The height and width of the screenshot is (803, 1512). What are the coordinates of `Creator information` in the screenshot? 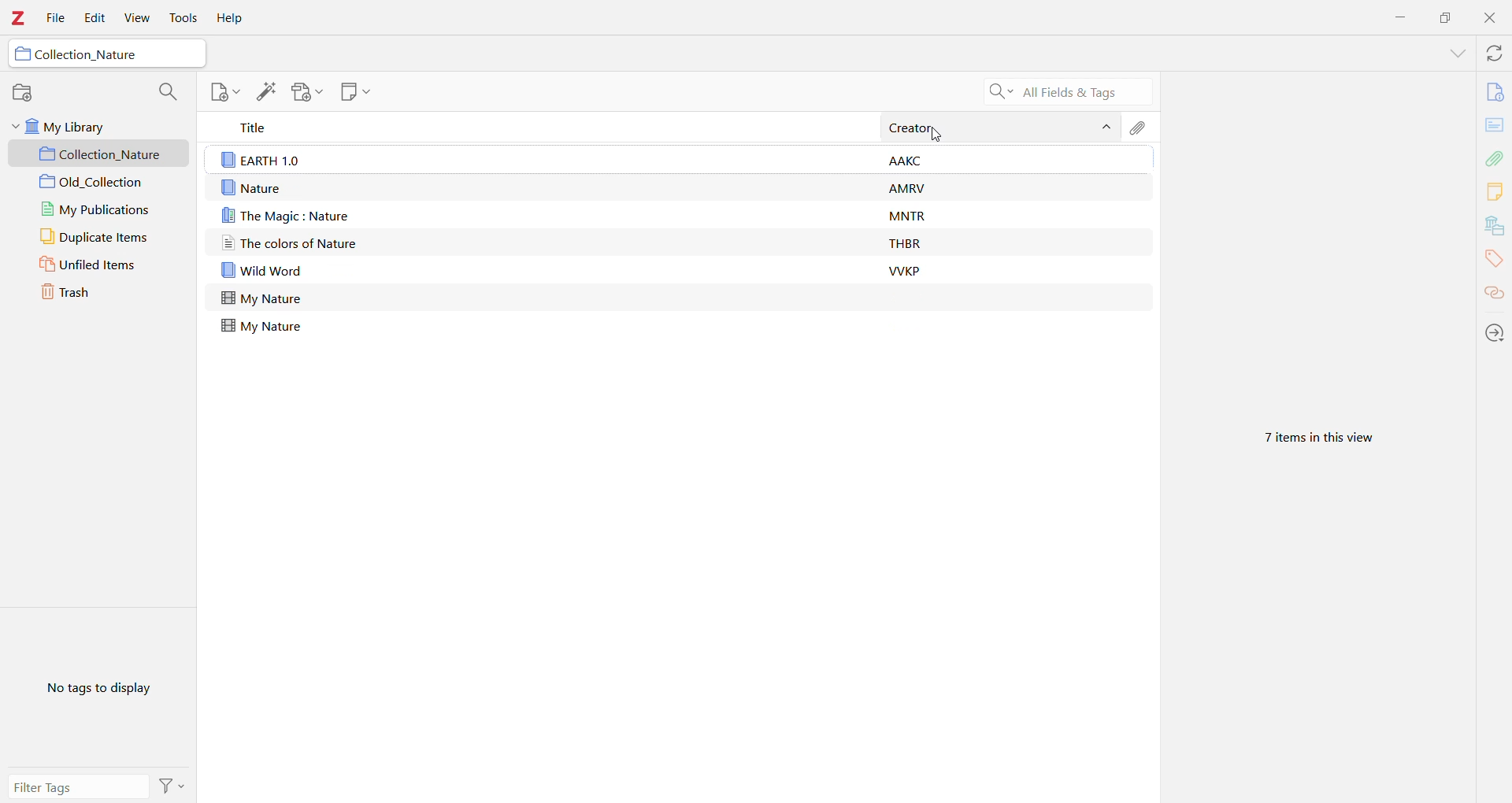 It's located at (915, 241).